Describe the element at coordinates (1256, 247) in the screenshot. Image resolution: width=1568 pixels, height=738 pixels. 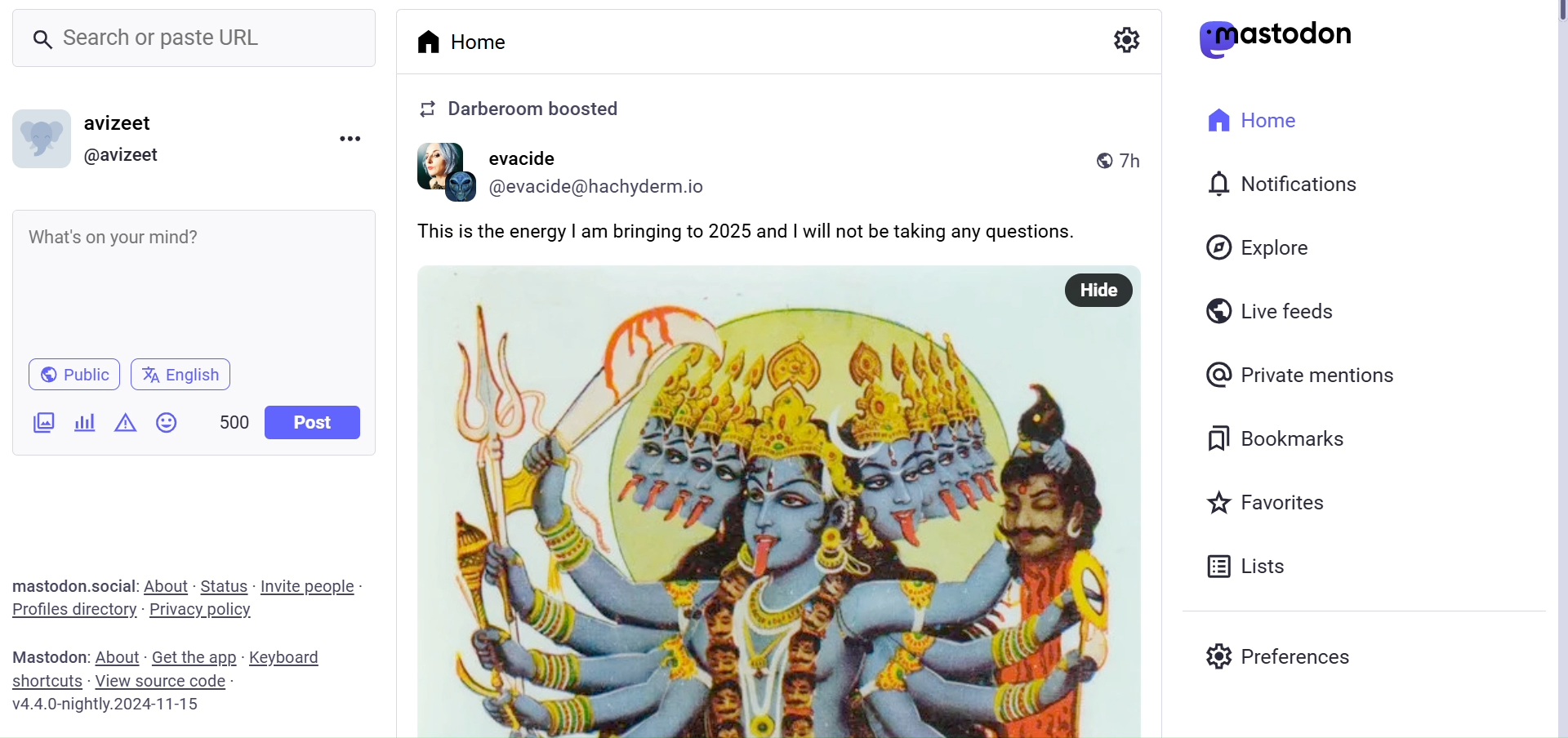
I see `Explore` at that location.